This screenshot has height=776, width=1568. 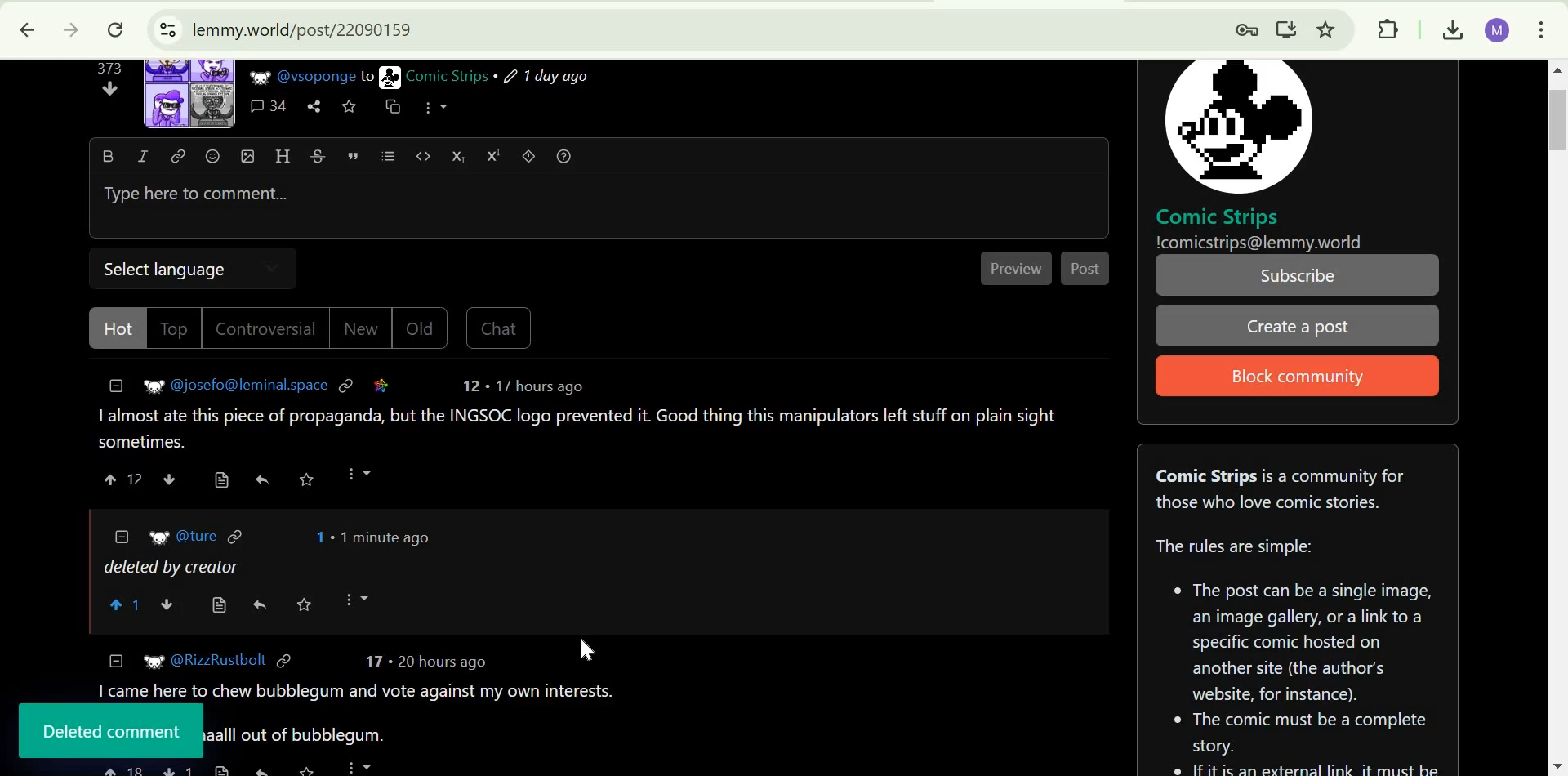 What do you see at coordinates (440, 662) in the screenshot?
I see `20 hours ago` at bounding box center [440, 662].